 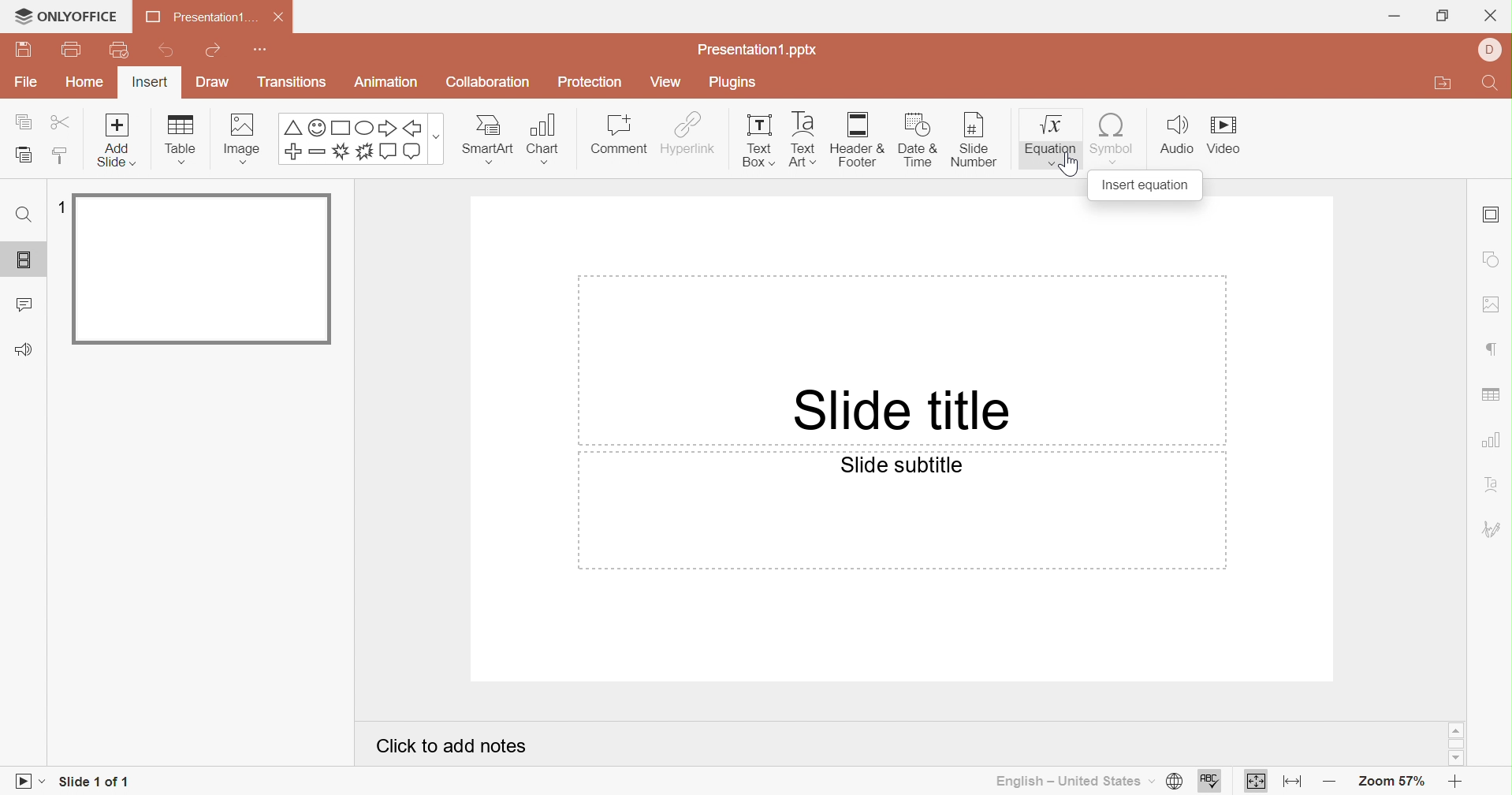 What do you see at coordinates (919, 139) in the screenshot?
I see `Date & Time` at bounding box center [919, 139].